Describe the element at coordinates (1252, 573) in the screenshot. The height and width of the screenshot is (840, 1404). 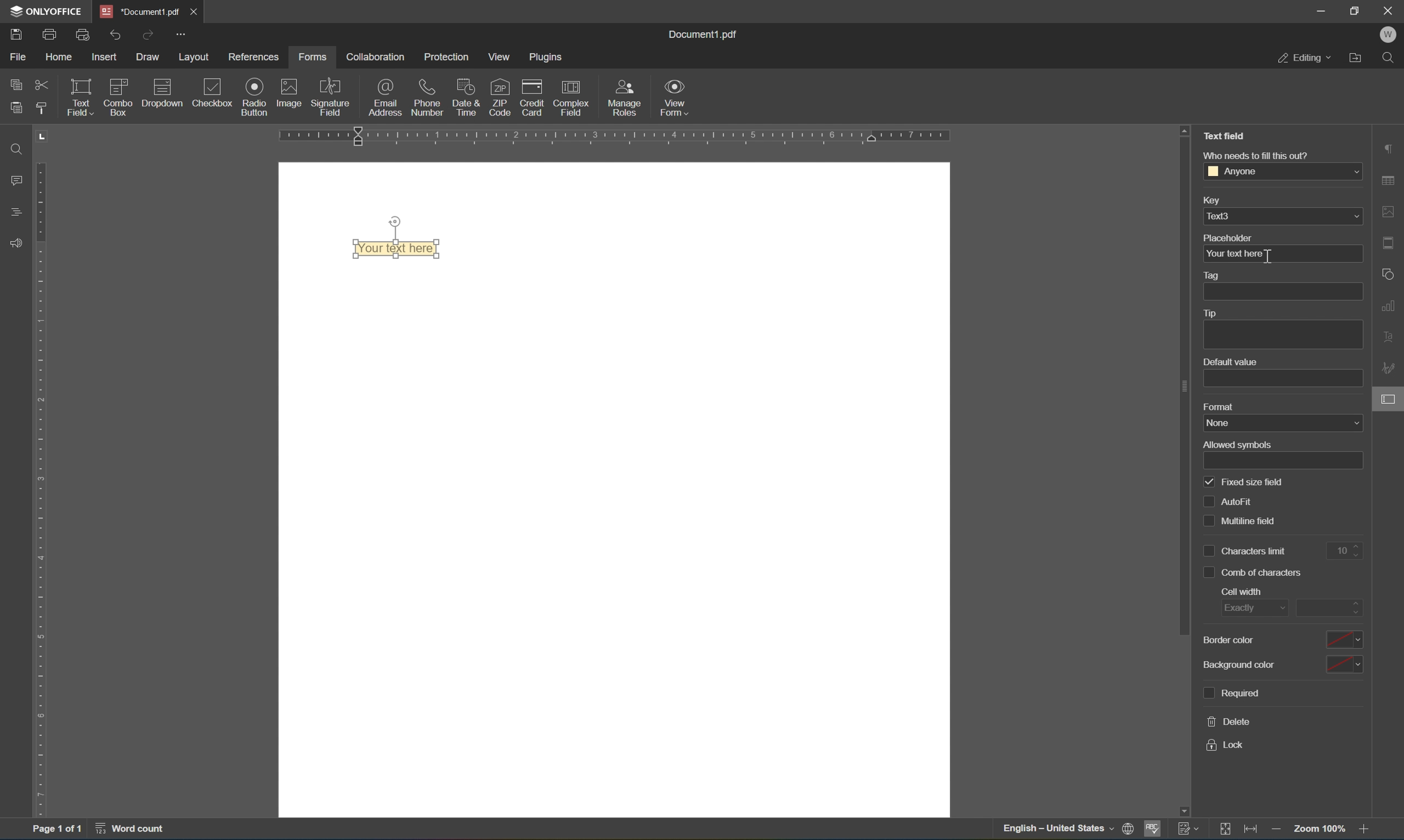
I see `comb of characters` at that location.